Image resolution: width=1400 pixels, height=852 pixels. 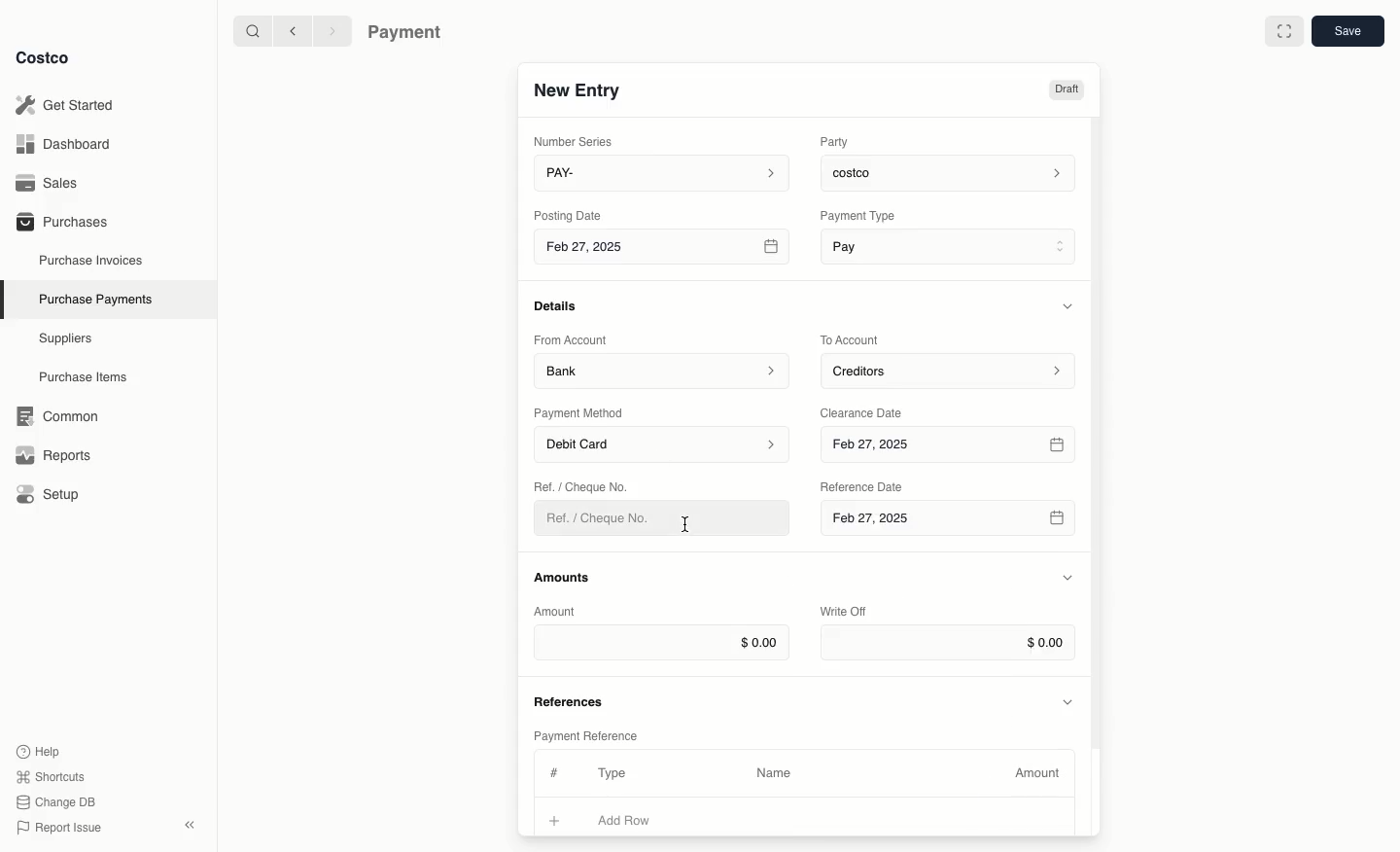 What do you see at coordinates (688, 526) in the screenshot?
I see `cursor` at bounding box center [688, 526].